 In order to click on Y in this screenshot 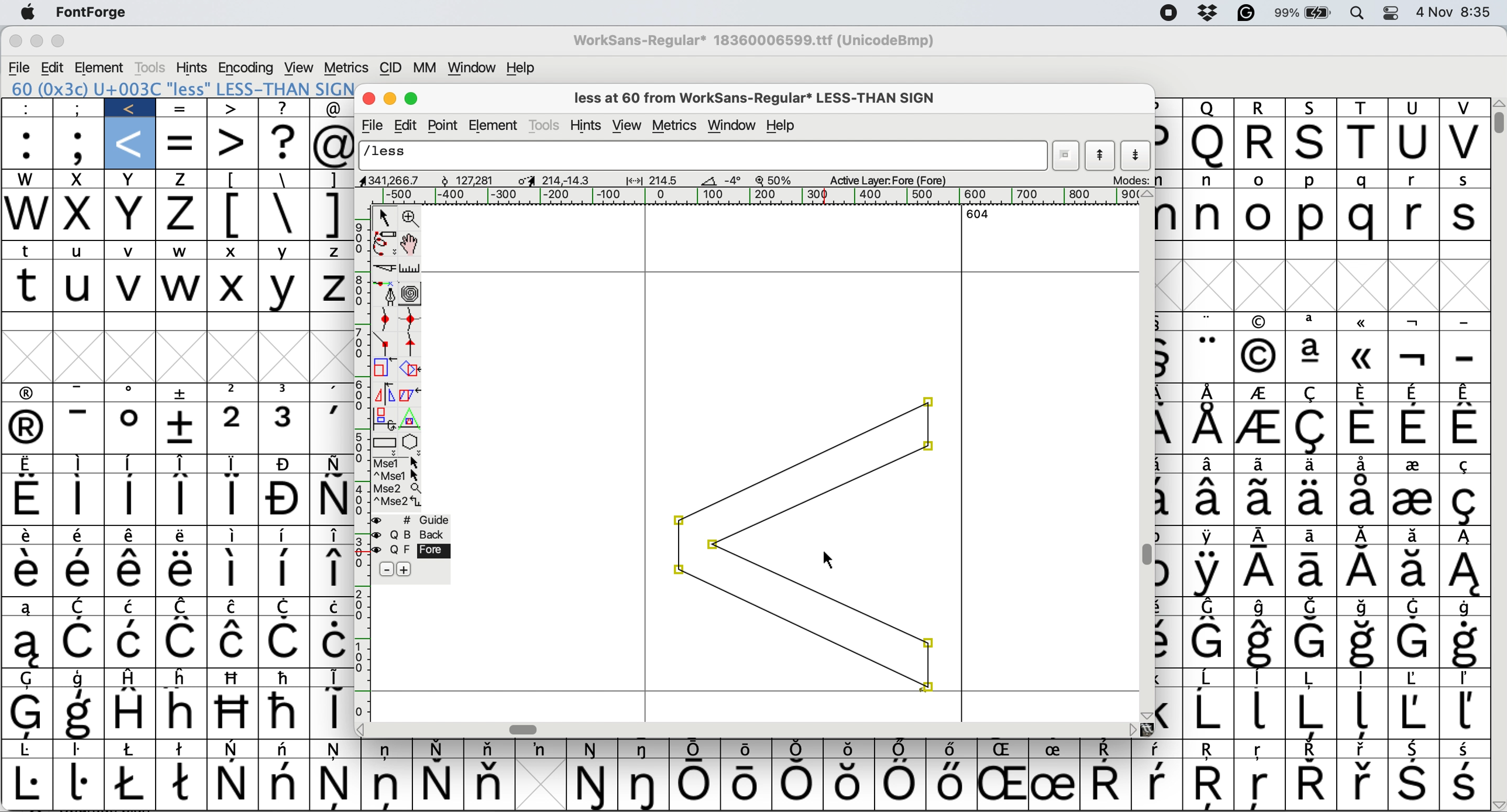, I will do `click(287, 288)`.